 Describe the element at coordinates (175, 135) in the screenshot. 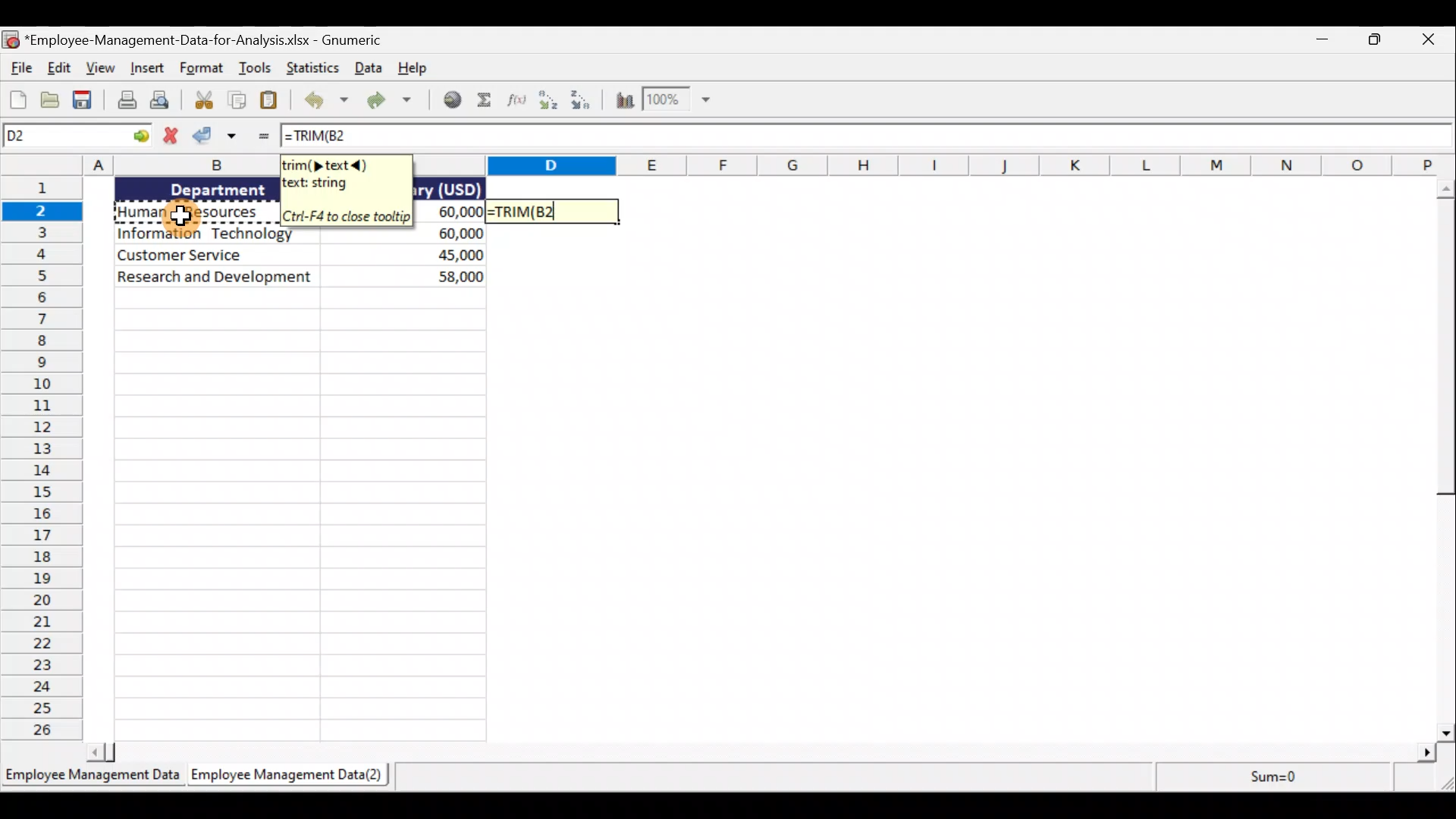

I see `Cancel change` at that location.